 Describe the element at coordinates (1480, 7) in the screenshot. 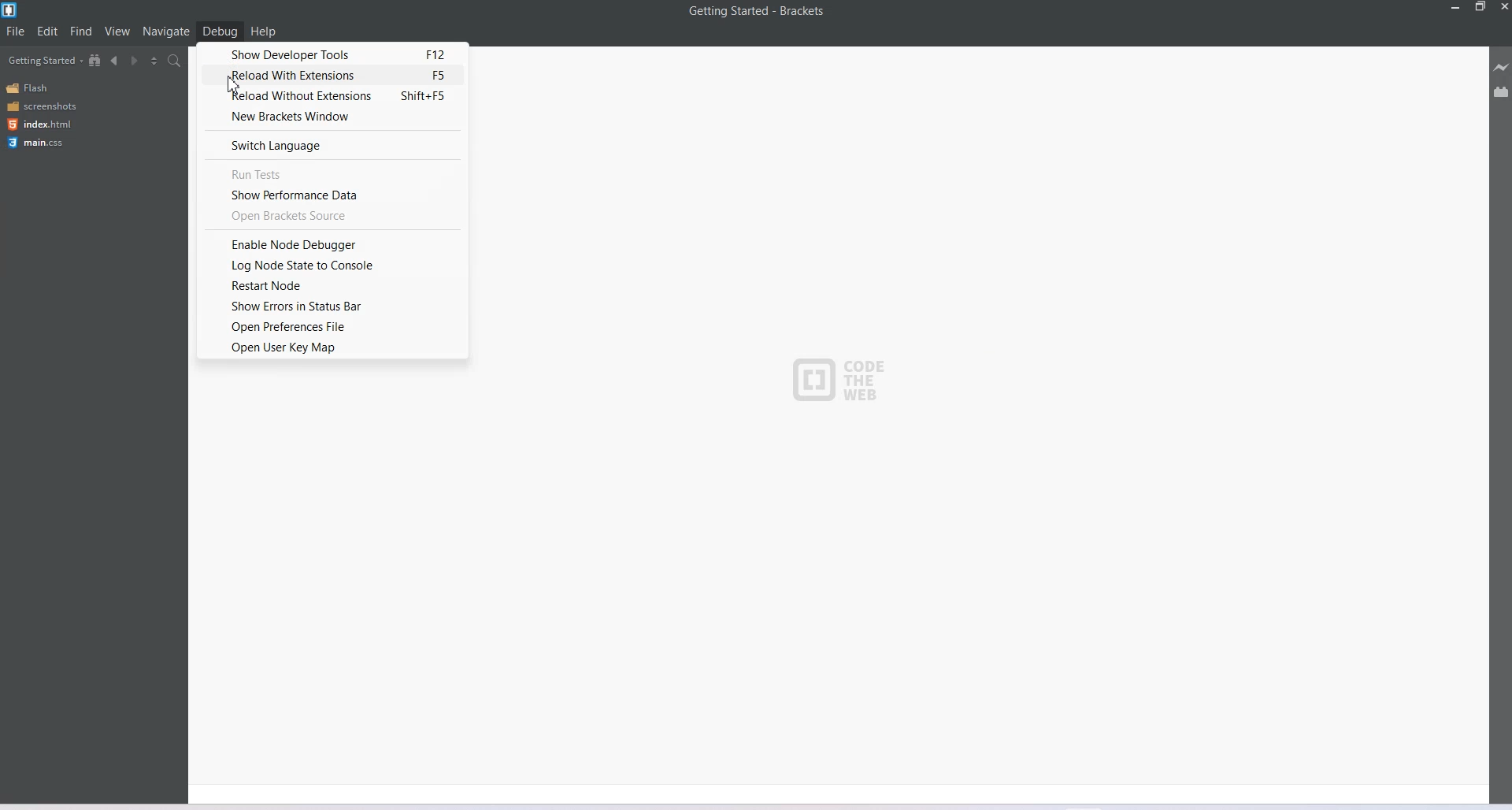

I see `Maximize` at that location.